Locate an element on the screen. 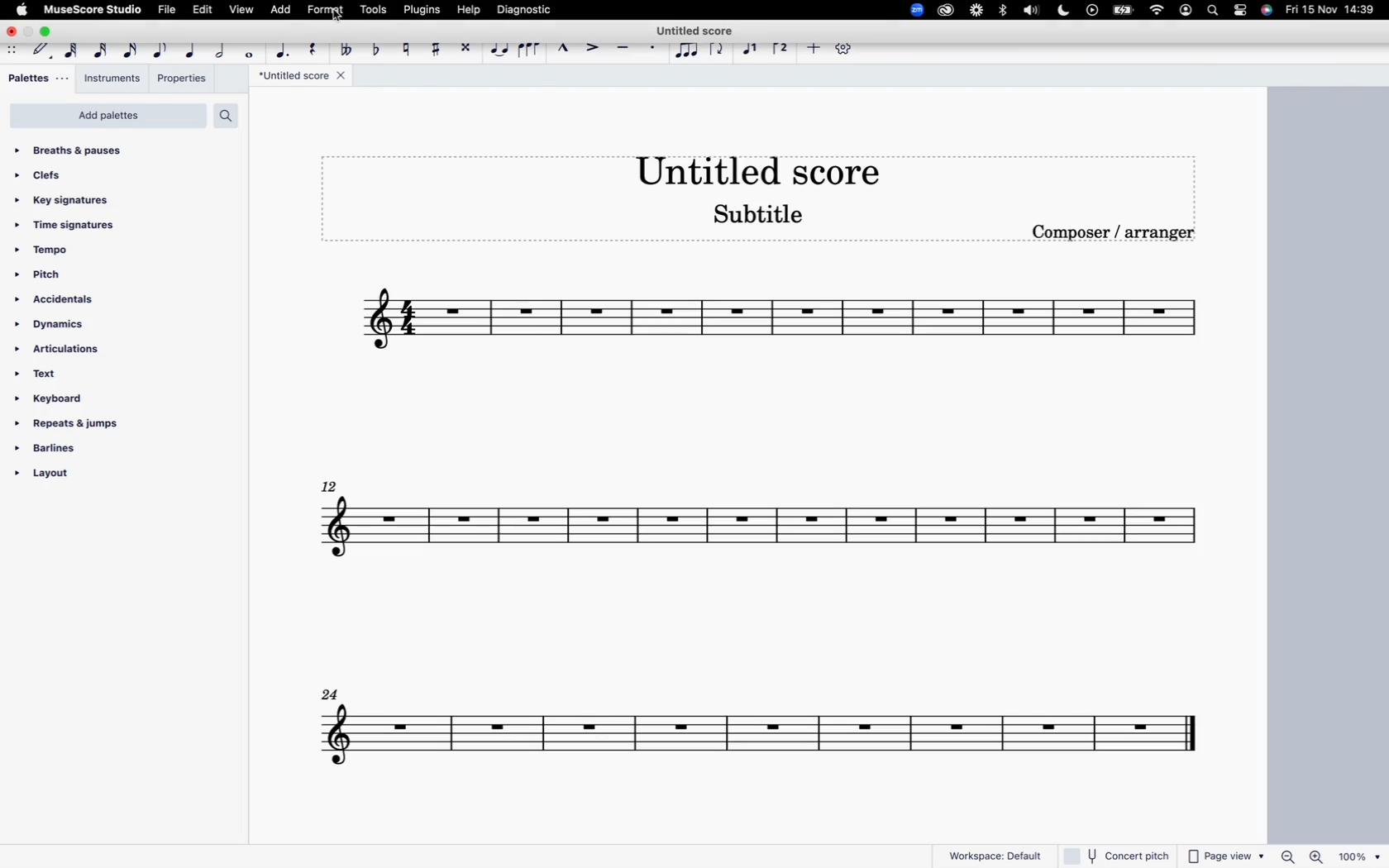 This screenshot has height=868, width=1389. volume is located at coordinates (1030, 11).